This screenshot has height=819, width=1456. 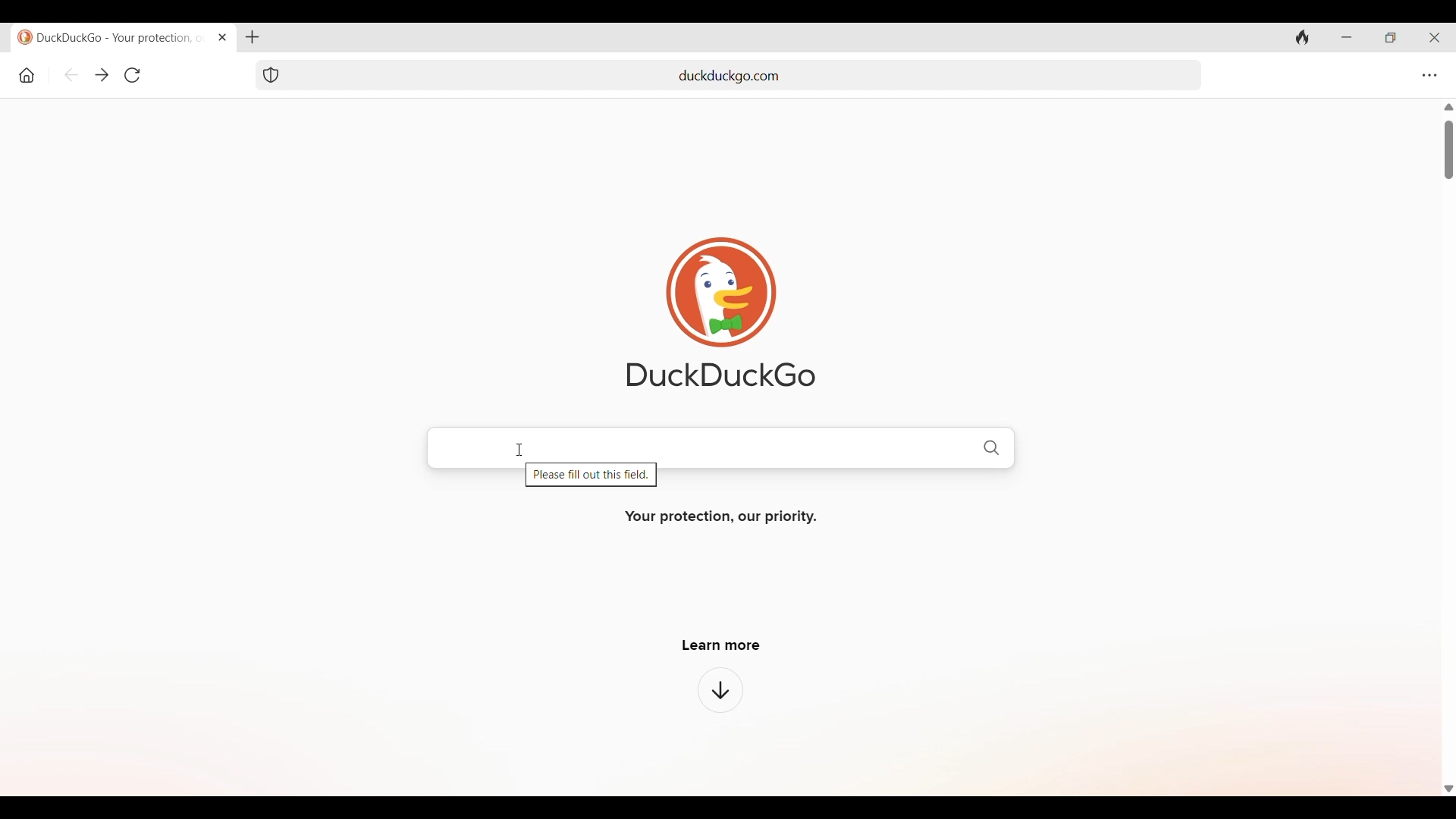 What do you see at coordinates (71, 74) in the screenshot?
I see `Go back` at bounding box center [71, 74].